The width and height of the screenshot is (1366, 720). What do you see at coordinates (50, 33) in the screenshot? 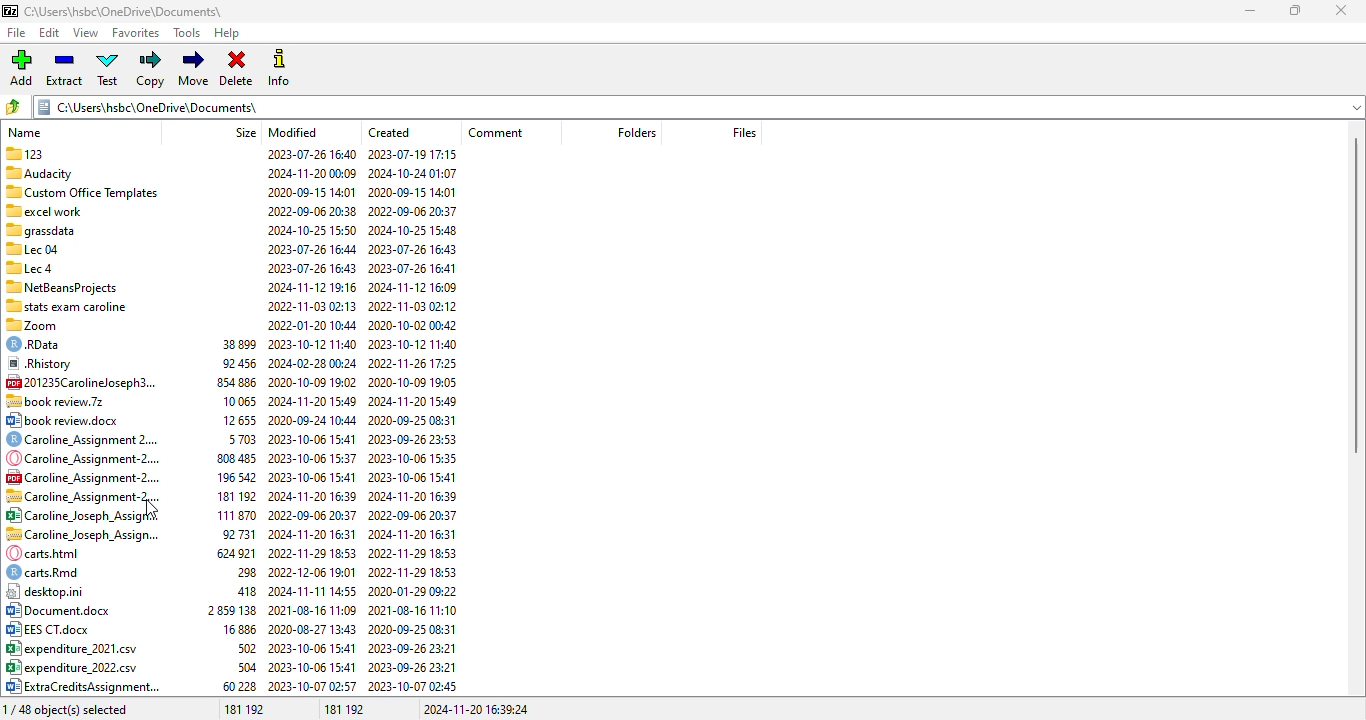
I see `edit` at bounding box center [50, 33].